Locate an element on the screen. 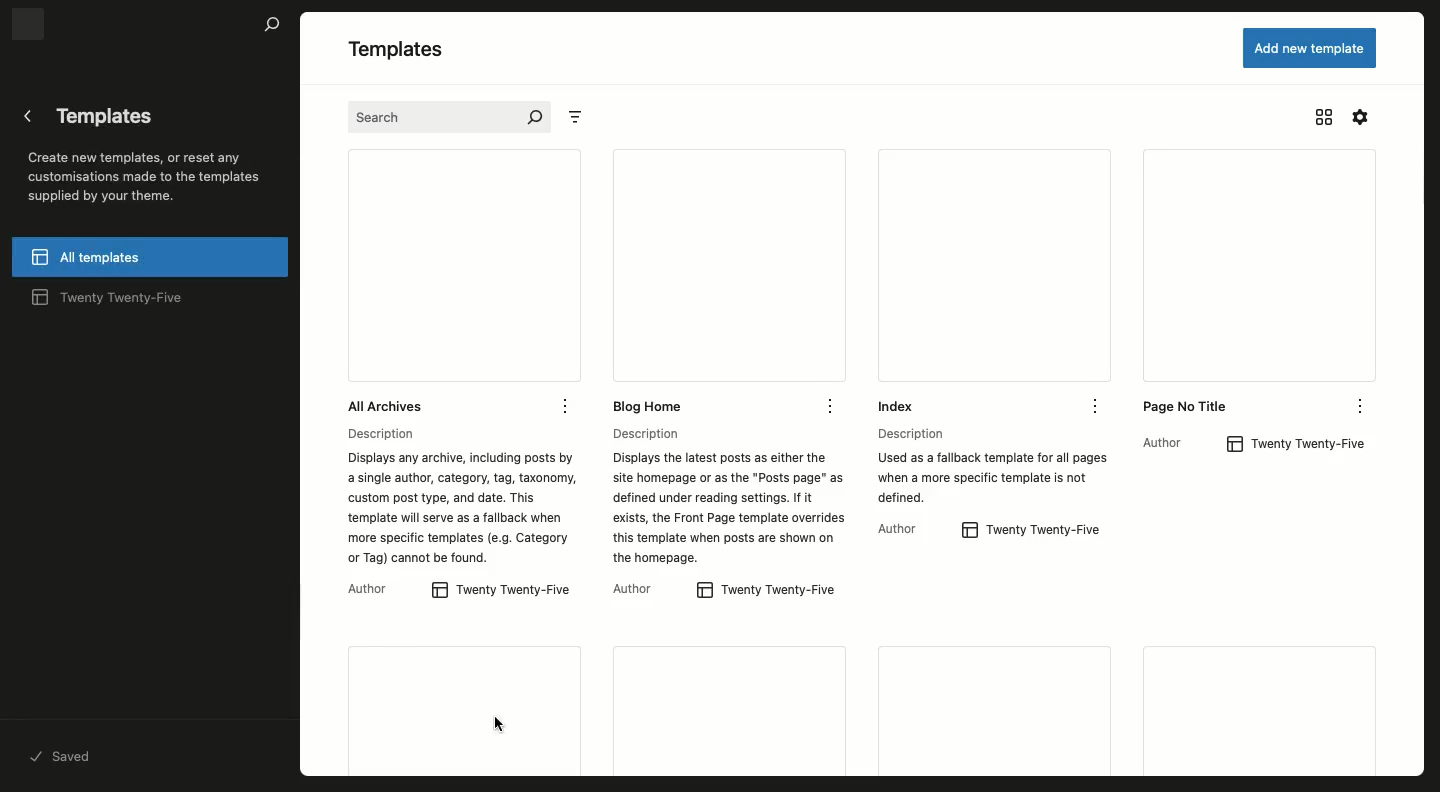 The image size is (1440, 792). Templates is located at coordinates (401, 53).